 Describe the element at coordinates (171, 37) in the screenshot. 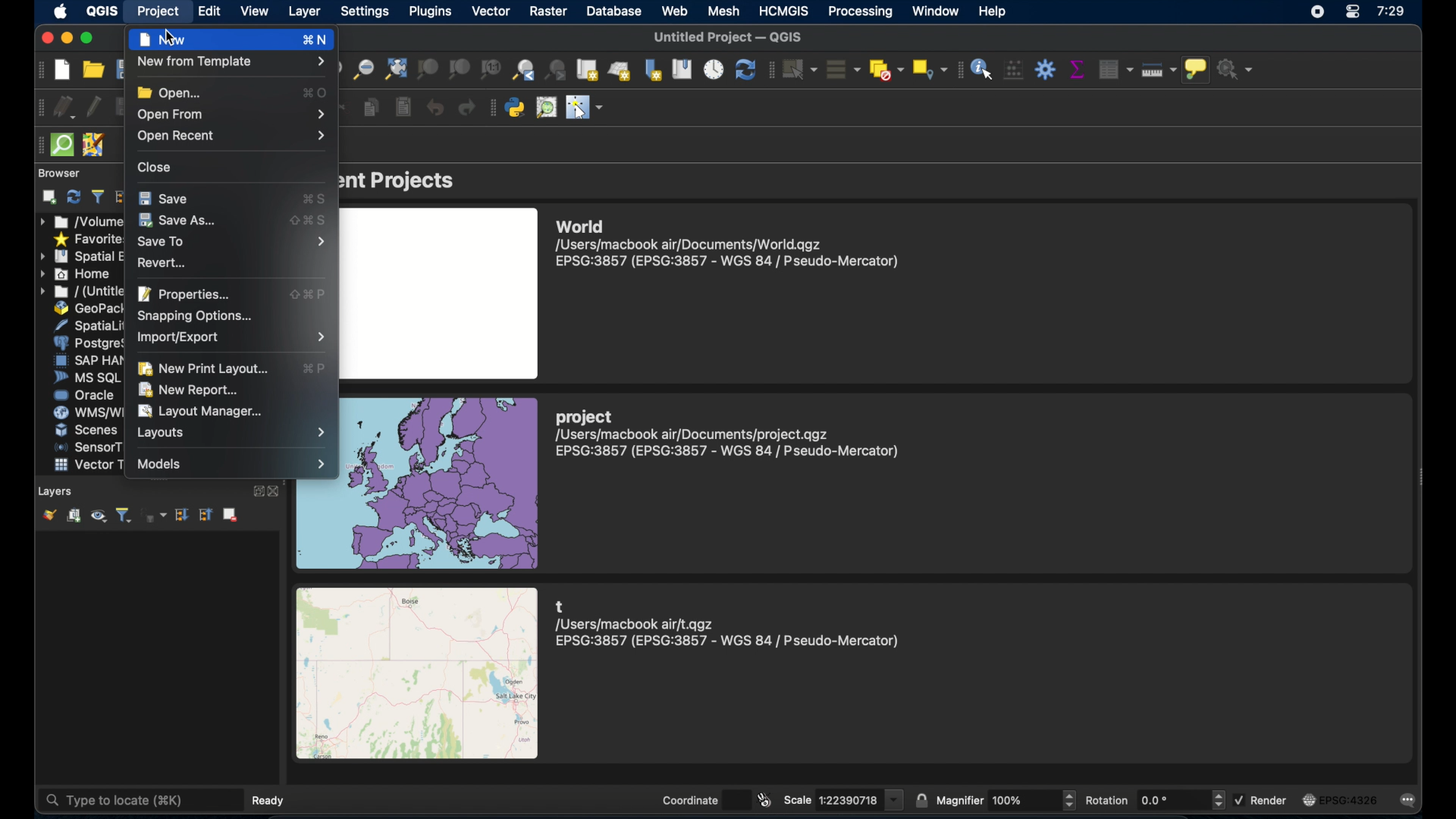

I see `cursor` at that location.